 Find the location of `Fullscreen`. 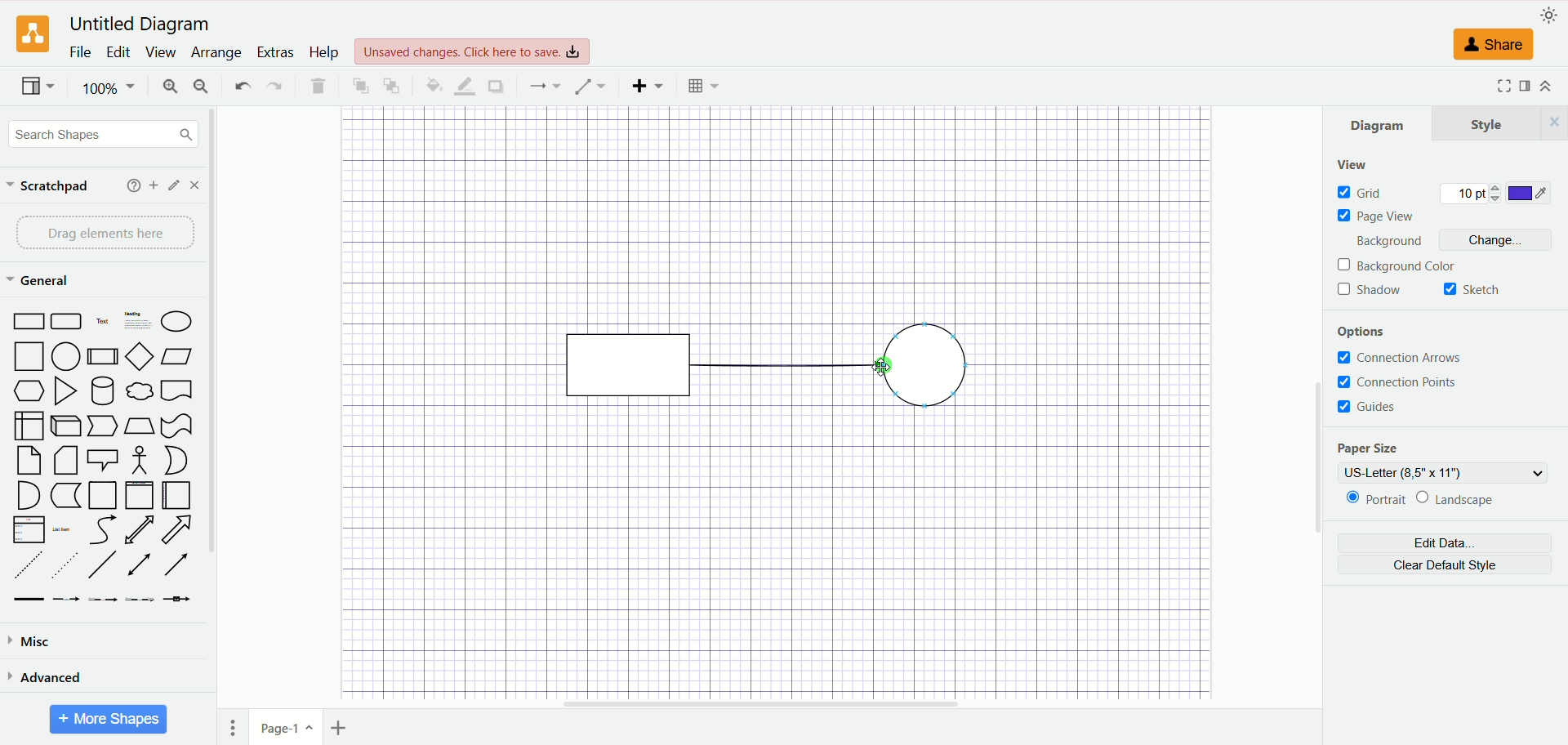

Fullscreen is located at coordinates (1500, 87).